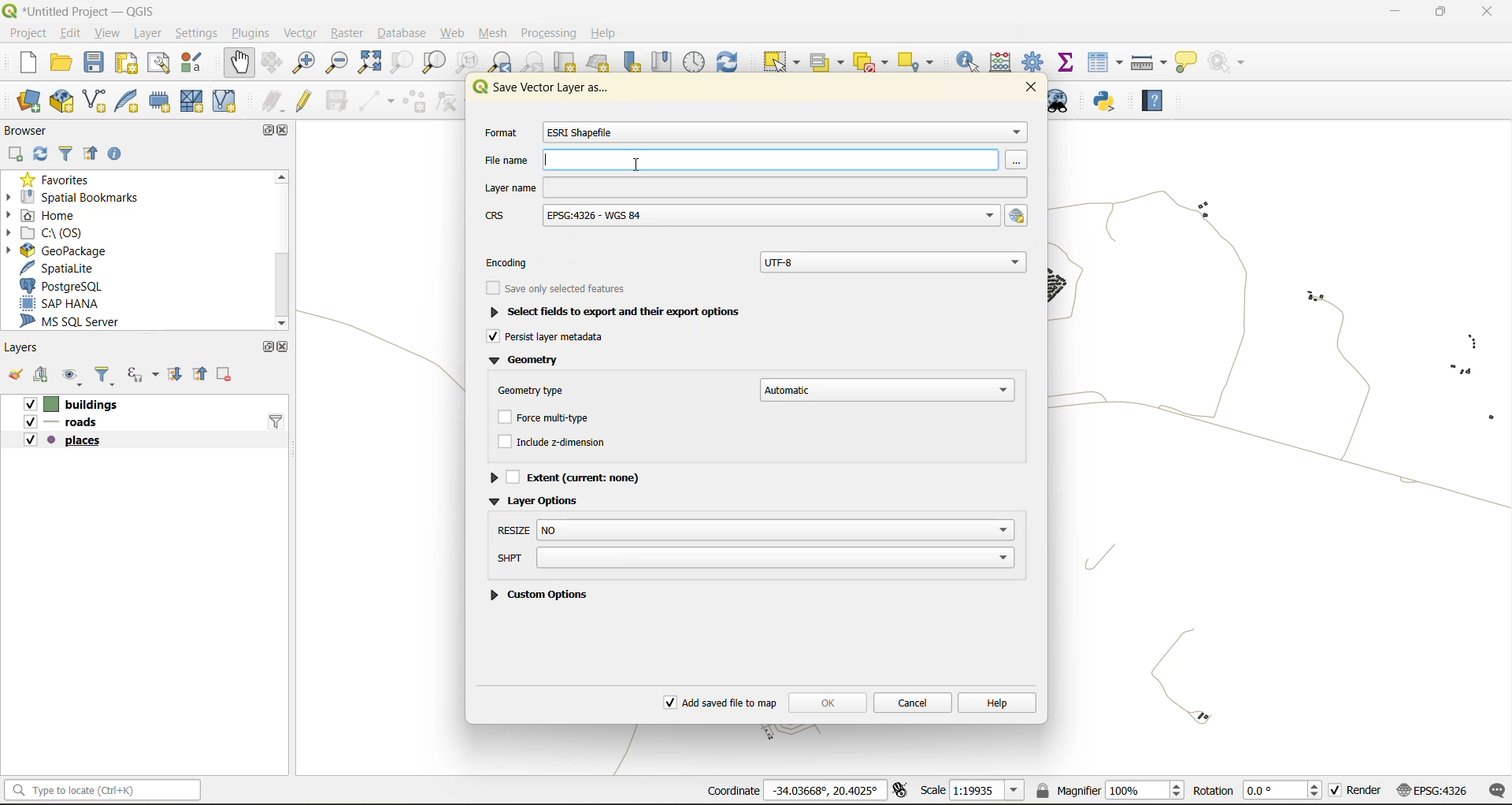  What do you see at coordinates (637, 63) in the screenshot?
I see `new spatial bookmark` at bounding box center [637, 63].